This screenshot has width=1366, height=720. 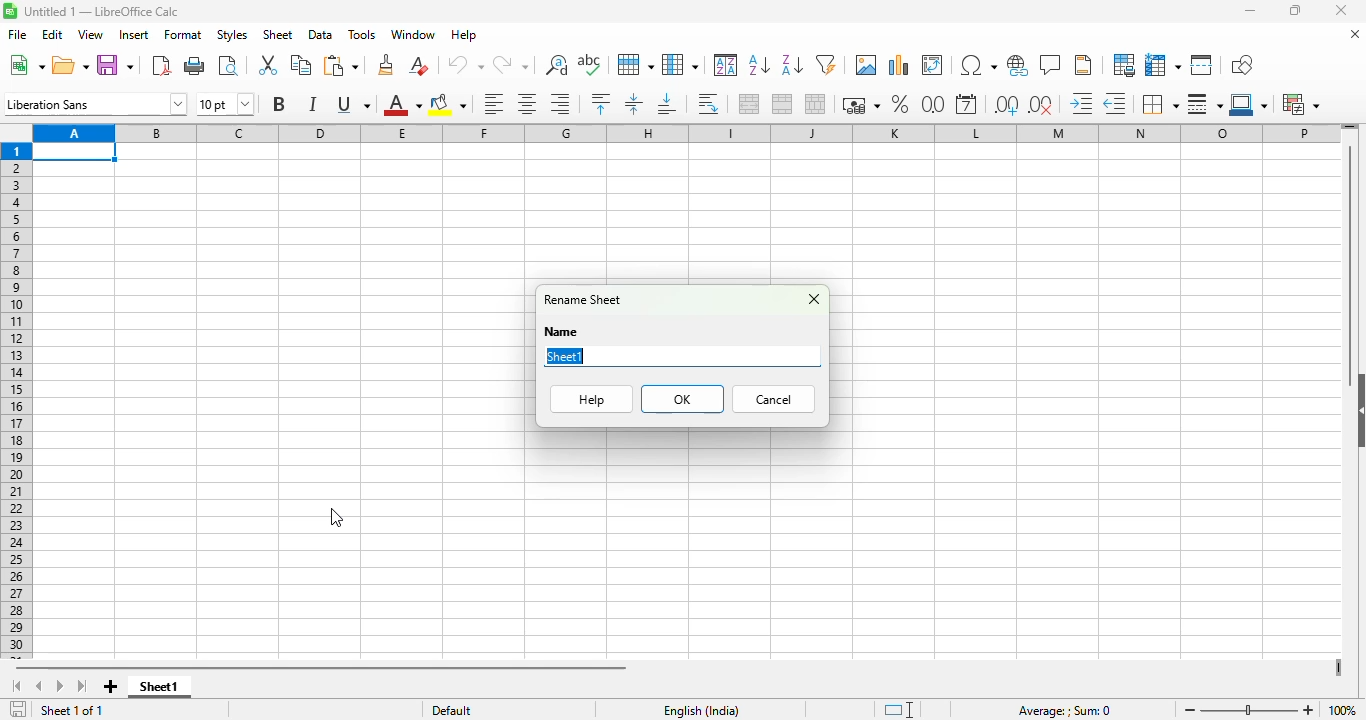 What do you see at coordinates (1159, 104) in the screenshot?
I see `borders` at bounding box center [1159, 104].